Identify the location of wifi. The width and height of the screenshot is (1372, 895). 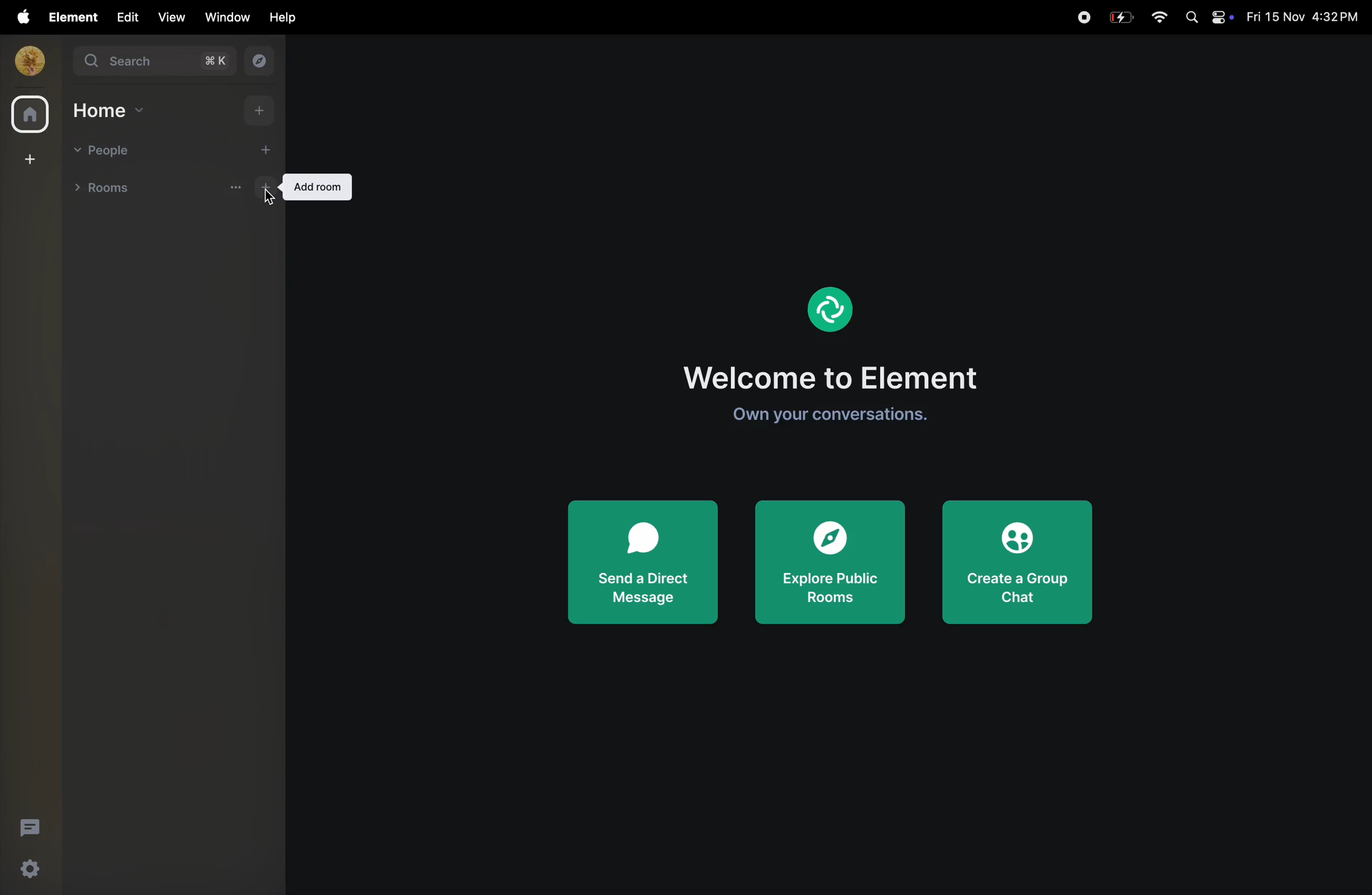
(1159, 18).